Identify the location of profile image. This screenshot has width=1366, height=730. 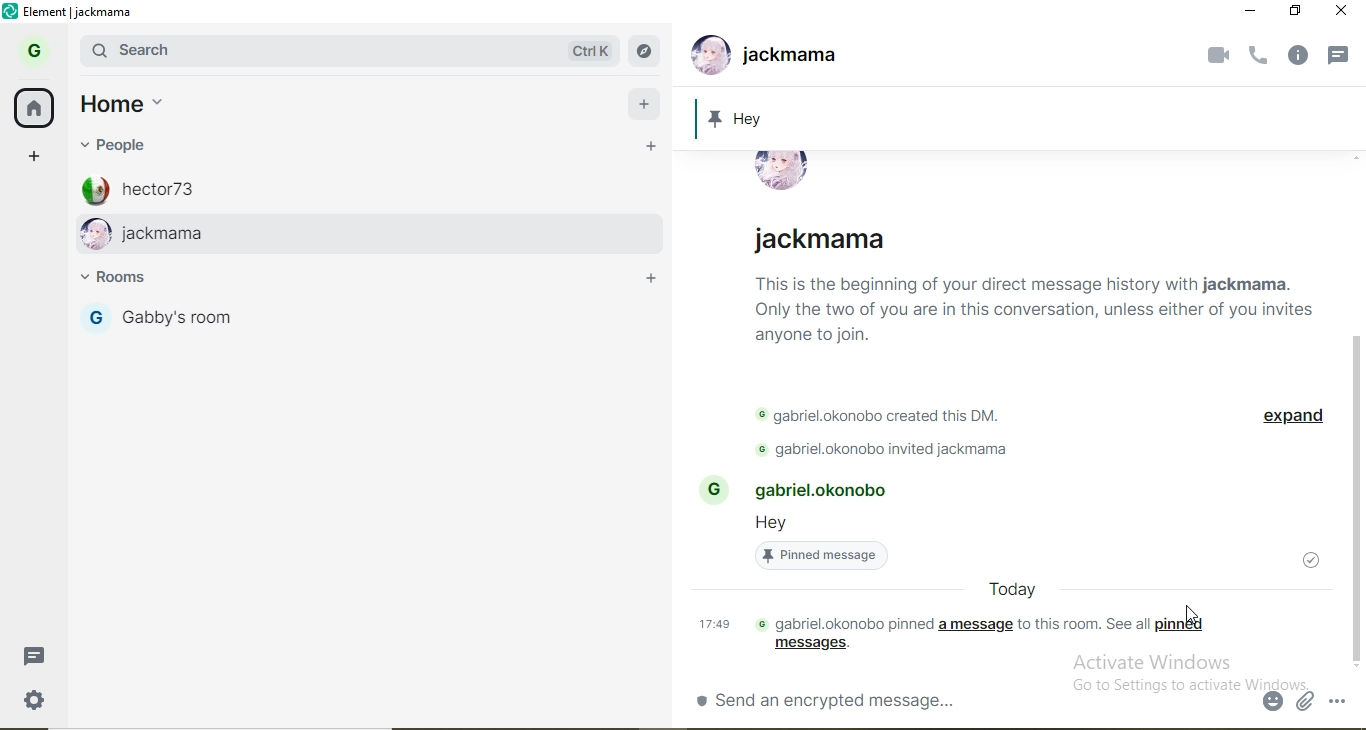
(707, 53).